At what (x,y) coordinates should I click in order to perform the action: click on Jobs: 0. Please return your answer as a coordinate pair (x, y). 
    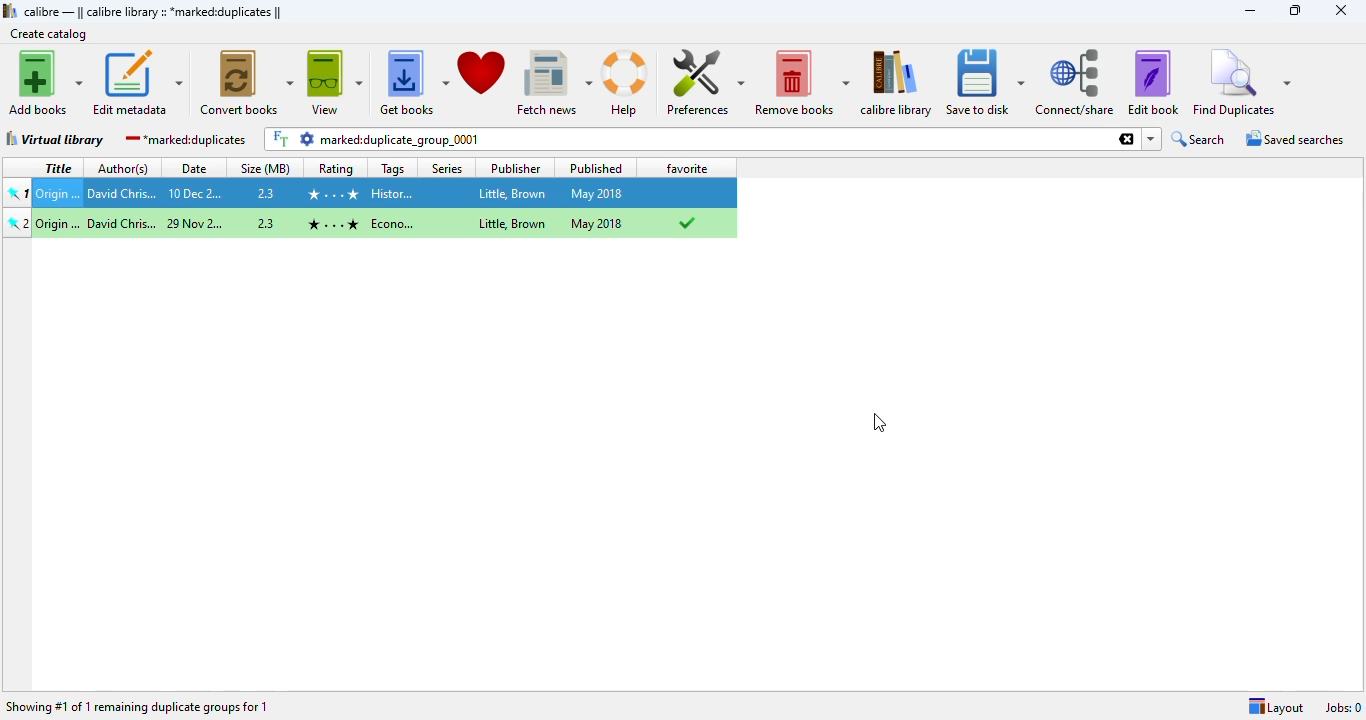
    Looking at the image, I should click on (1344, 704).